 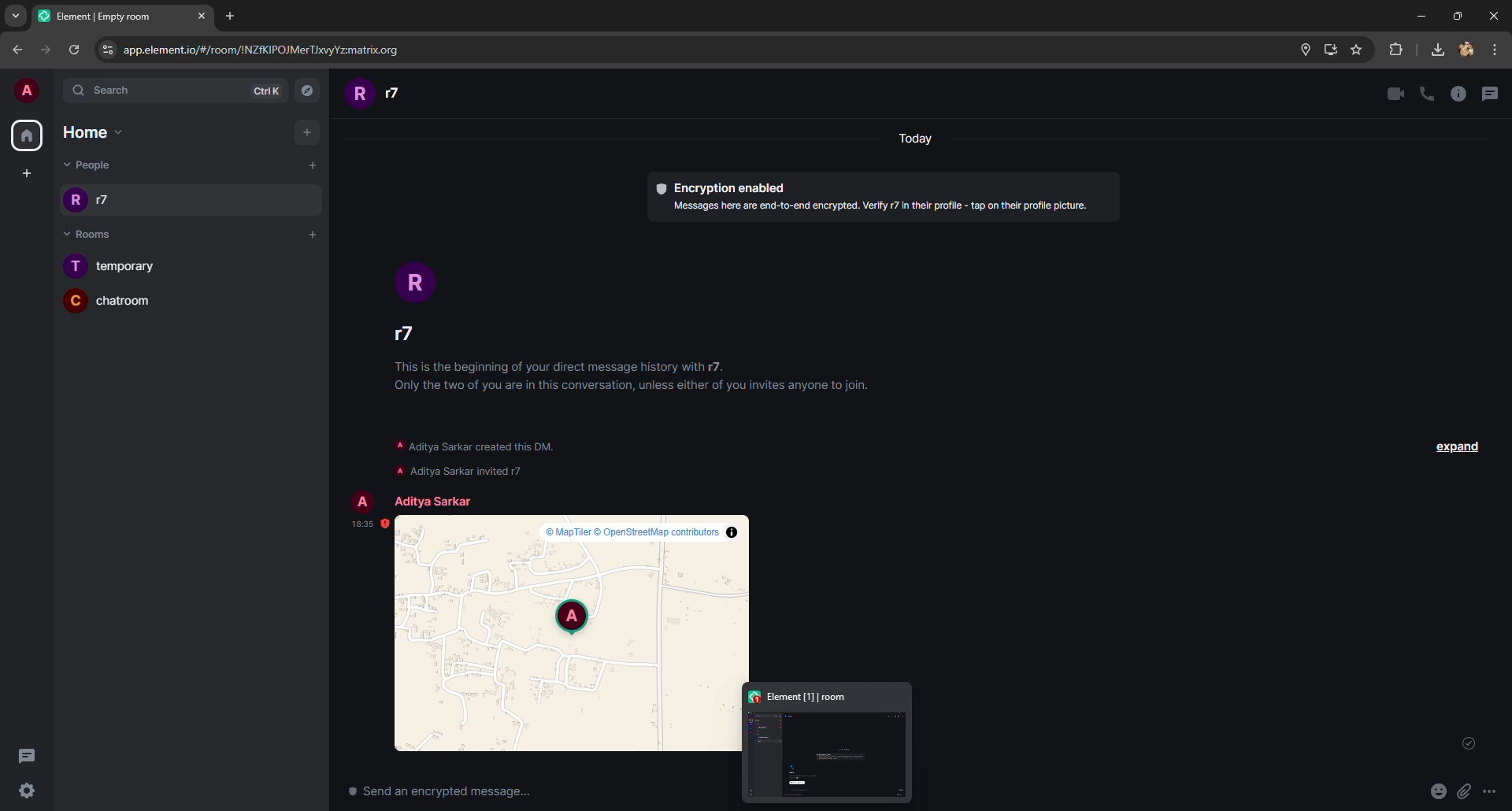 What do you see at coordinates (1398, 50) in the screenshot?
I see `extensions` at bounding box center [1398, 50].